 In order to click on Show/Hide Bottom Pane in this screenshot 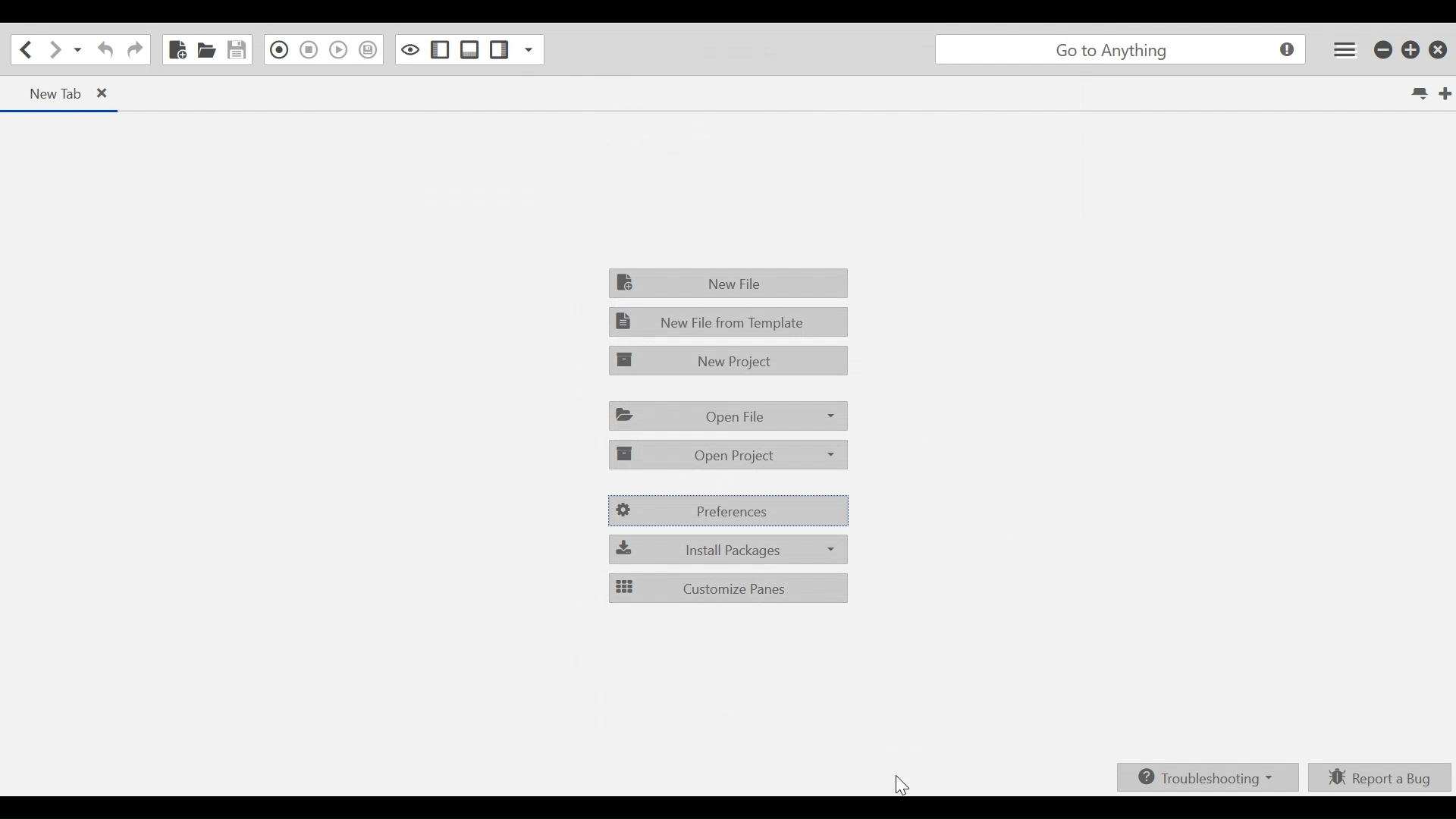, I will do `click(469, 50)`.